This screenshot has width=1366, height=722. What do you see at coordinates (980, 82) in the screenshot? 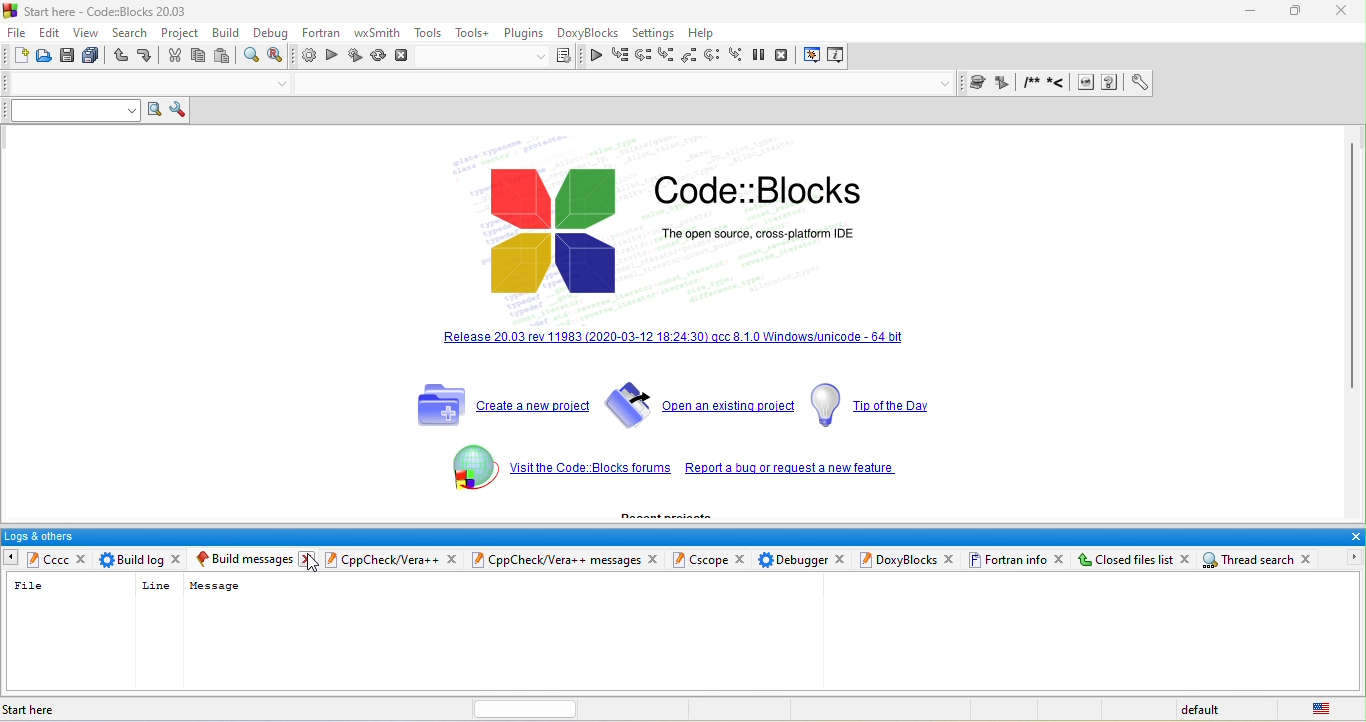
I see `doxy wizard` at bounding box center [980, 82].